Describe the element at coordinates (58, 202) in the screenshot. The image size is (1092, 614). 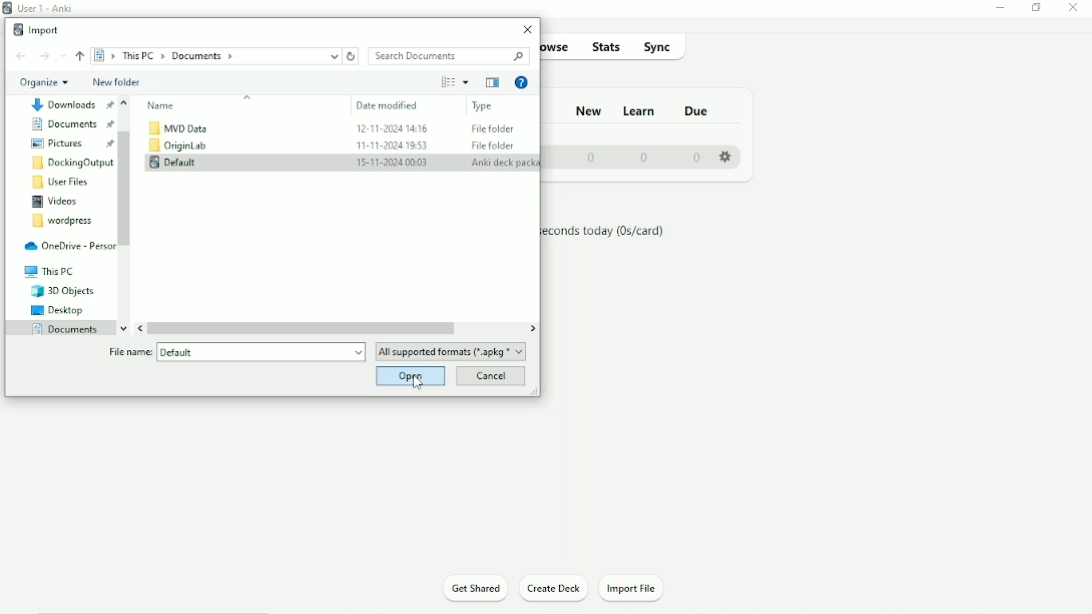
I see `Videos` at that location.